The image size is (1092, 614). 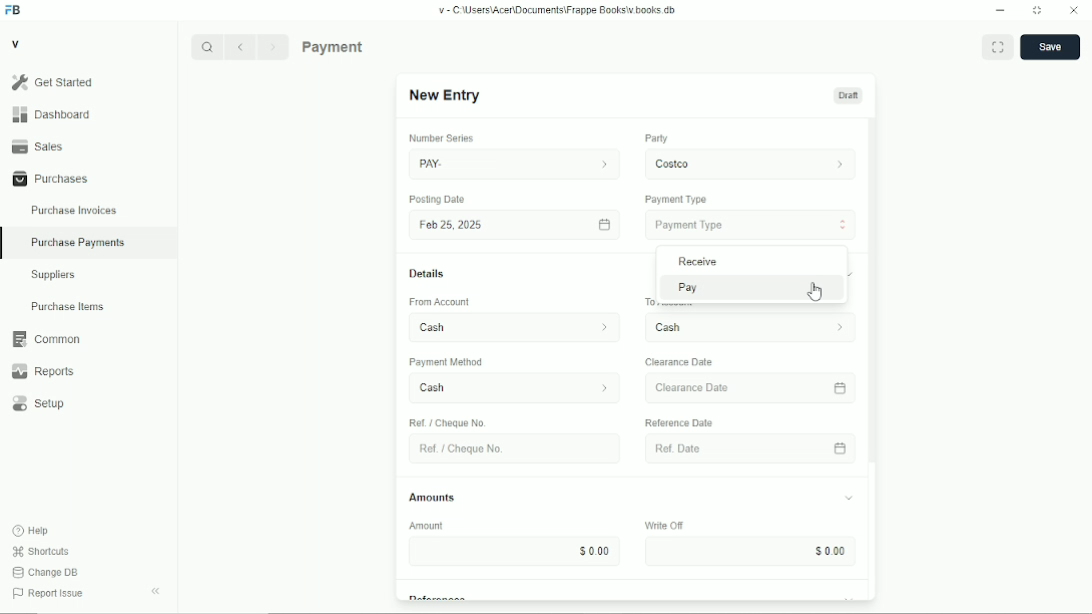 What do you see at coordinates (89, 403) in the screenshot?
I see `Setup` at bounding box center [89, 403].